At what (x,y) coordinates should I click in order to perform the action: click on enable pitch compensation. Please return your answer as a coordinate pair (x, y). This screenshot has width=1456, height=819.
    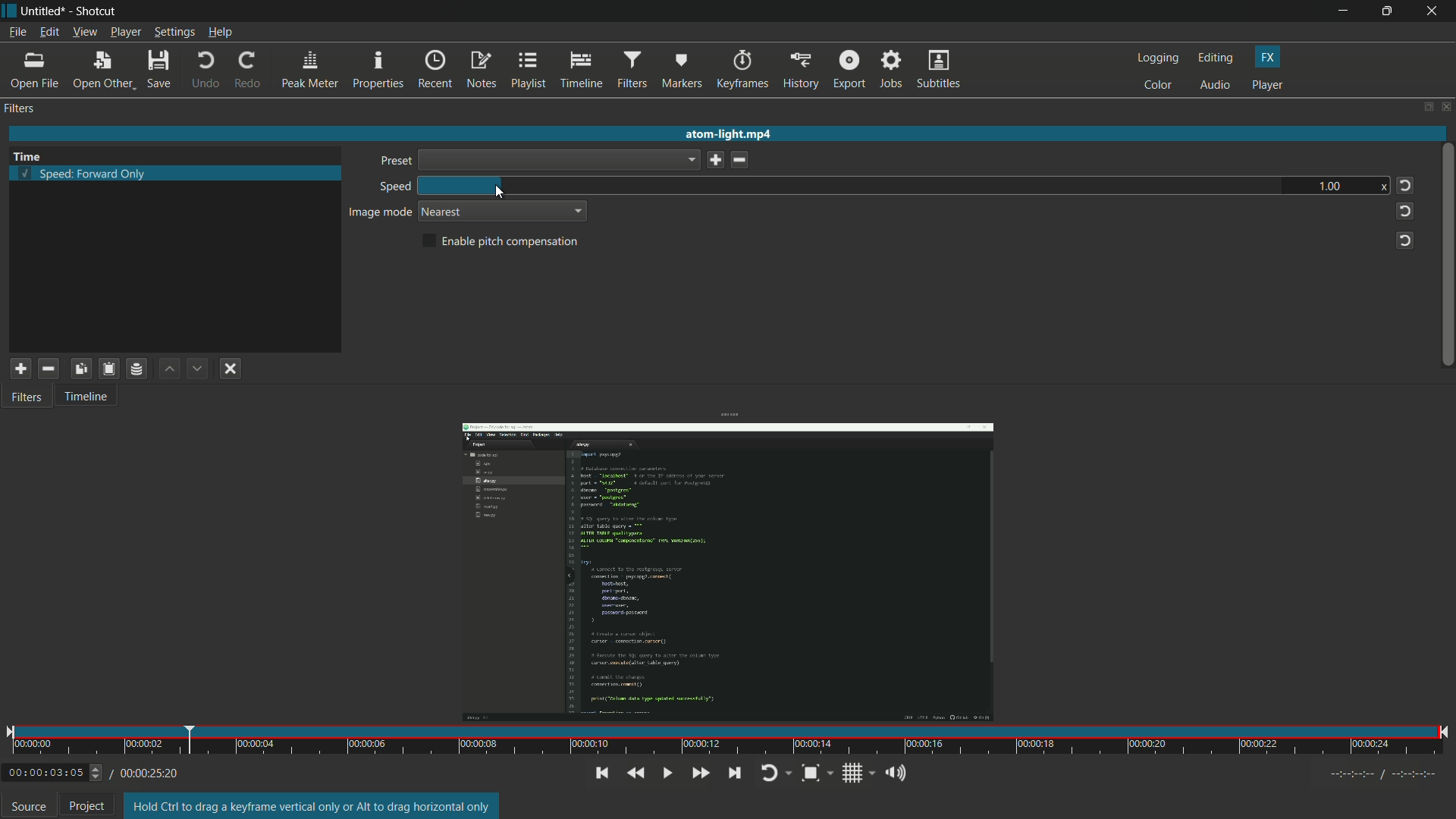
    Looking at the image, I should click on (502, 242).